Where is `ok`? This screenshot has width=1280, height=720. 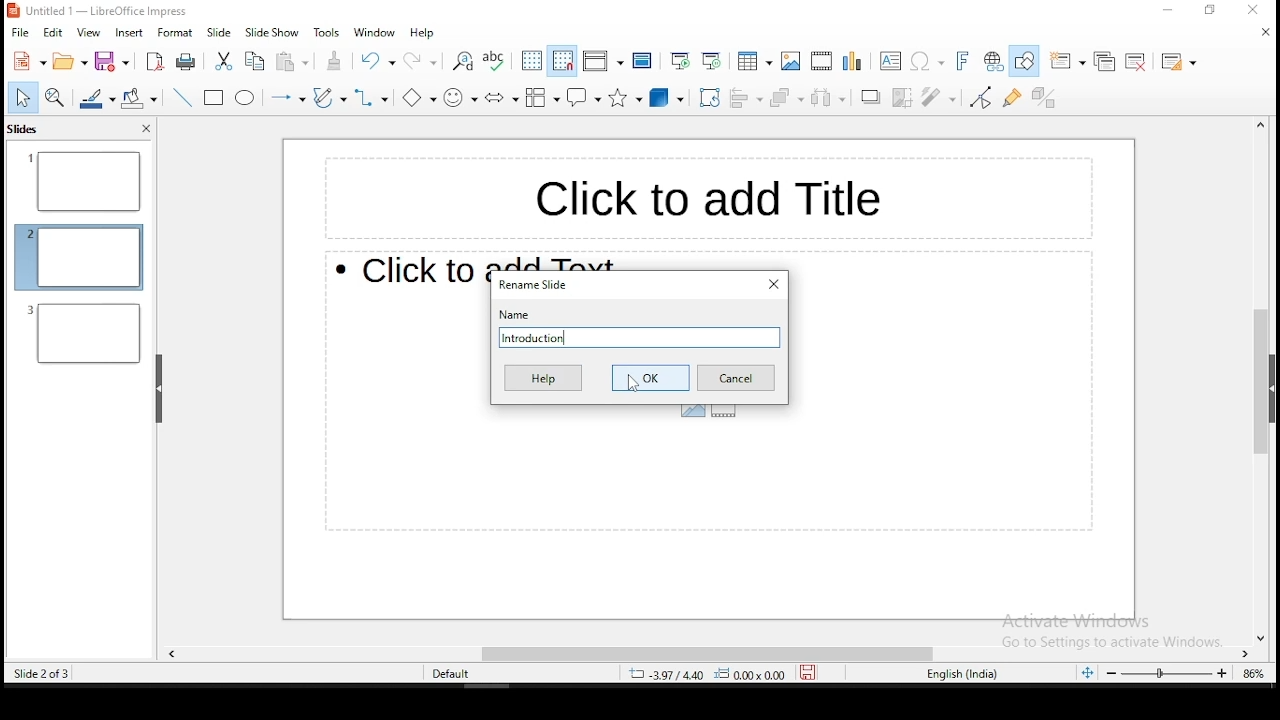 ok is located at coordinates (650, 378).